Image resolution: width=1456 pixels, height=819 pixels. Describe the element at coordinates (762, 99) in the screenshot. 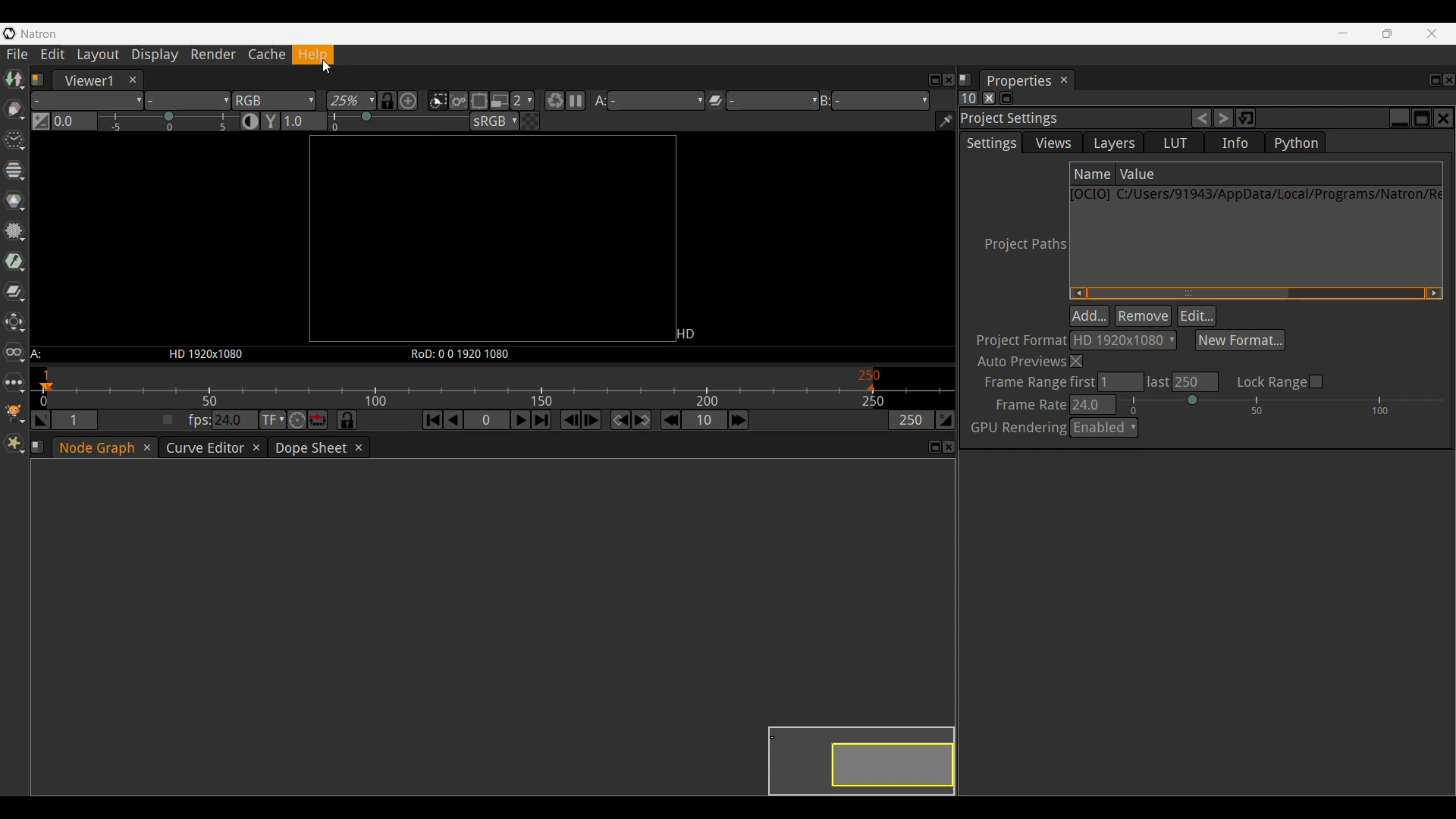

I see `Operation applied between viewer input A and B` at that location.